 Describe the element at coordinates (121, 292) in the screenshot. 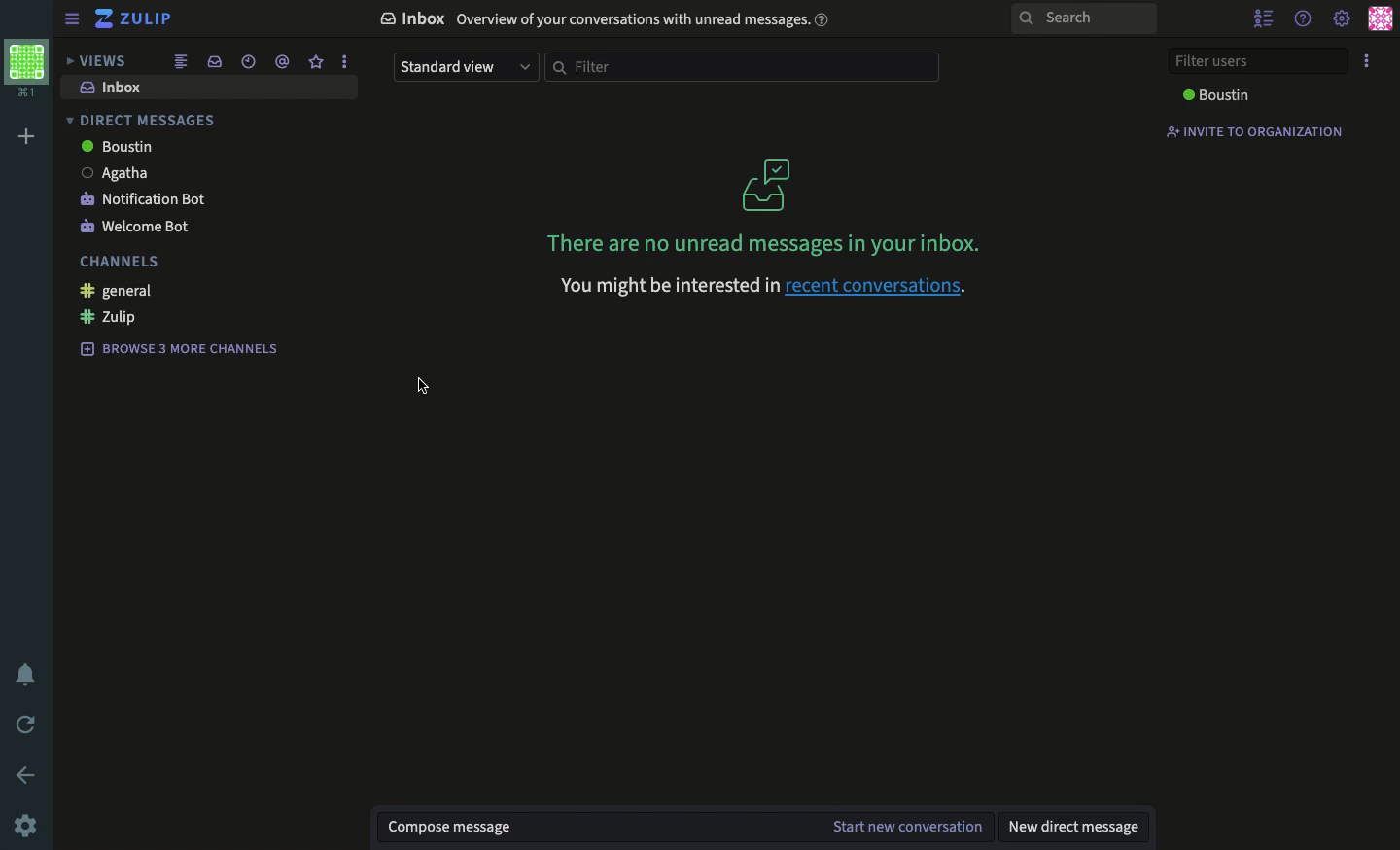

I see `general` at that location.